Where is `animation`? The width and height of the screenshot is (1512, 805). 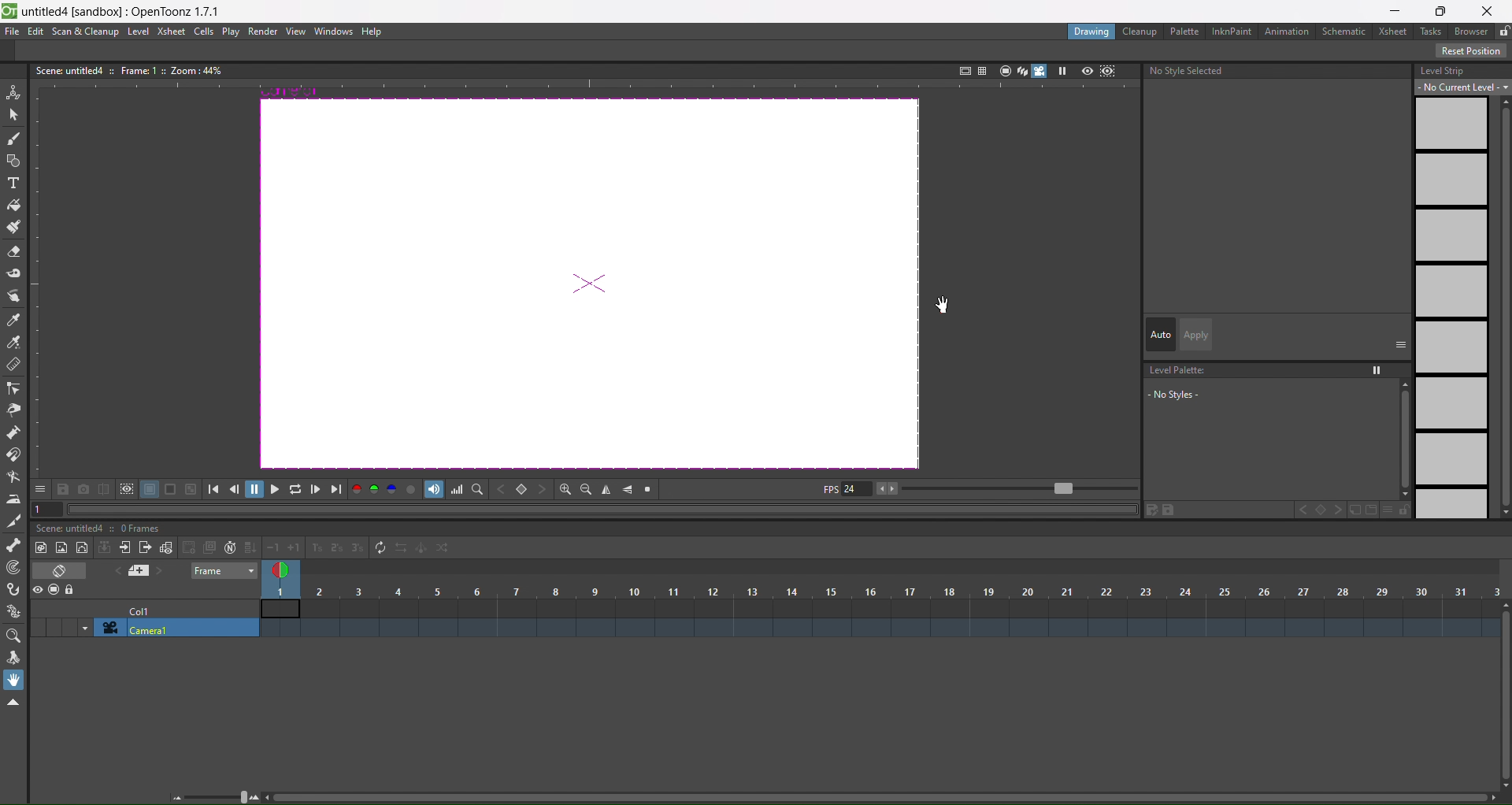
animation is located at coordinates (1290, 32).